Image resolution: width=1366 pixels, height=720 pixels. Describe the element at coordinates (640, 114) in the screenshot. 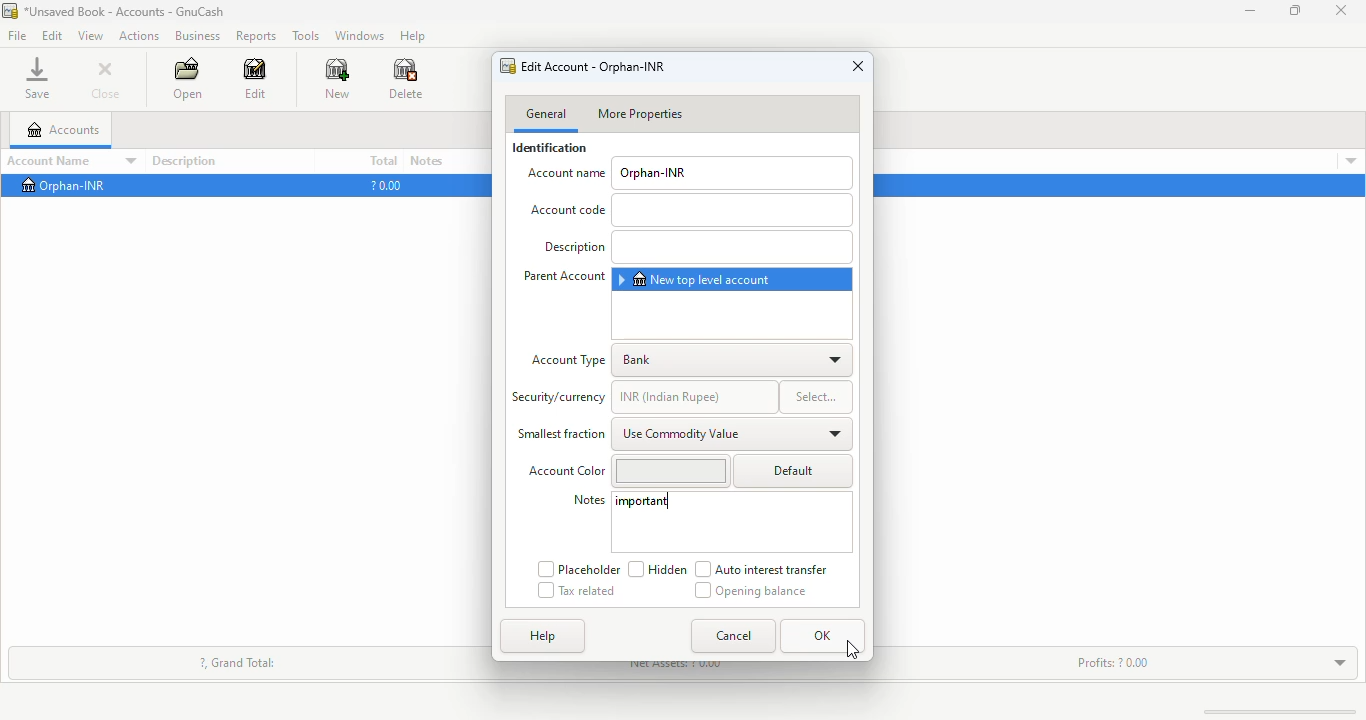

I see `more properties` at that location.